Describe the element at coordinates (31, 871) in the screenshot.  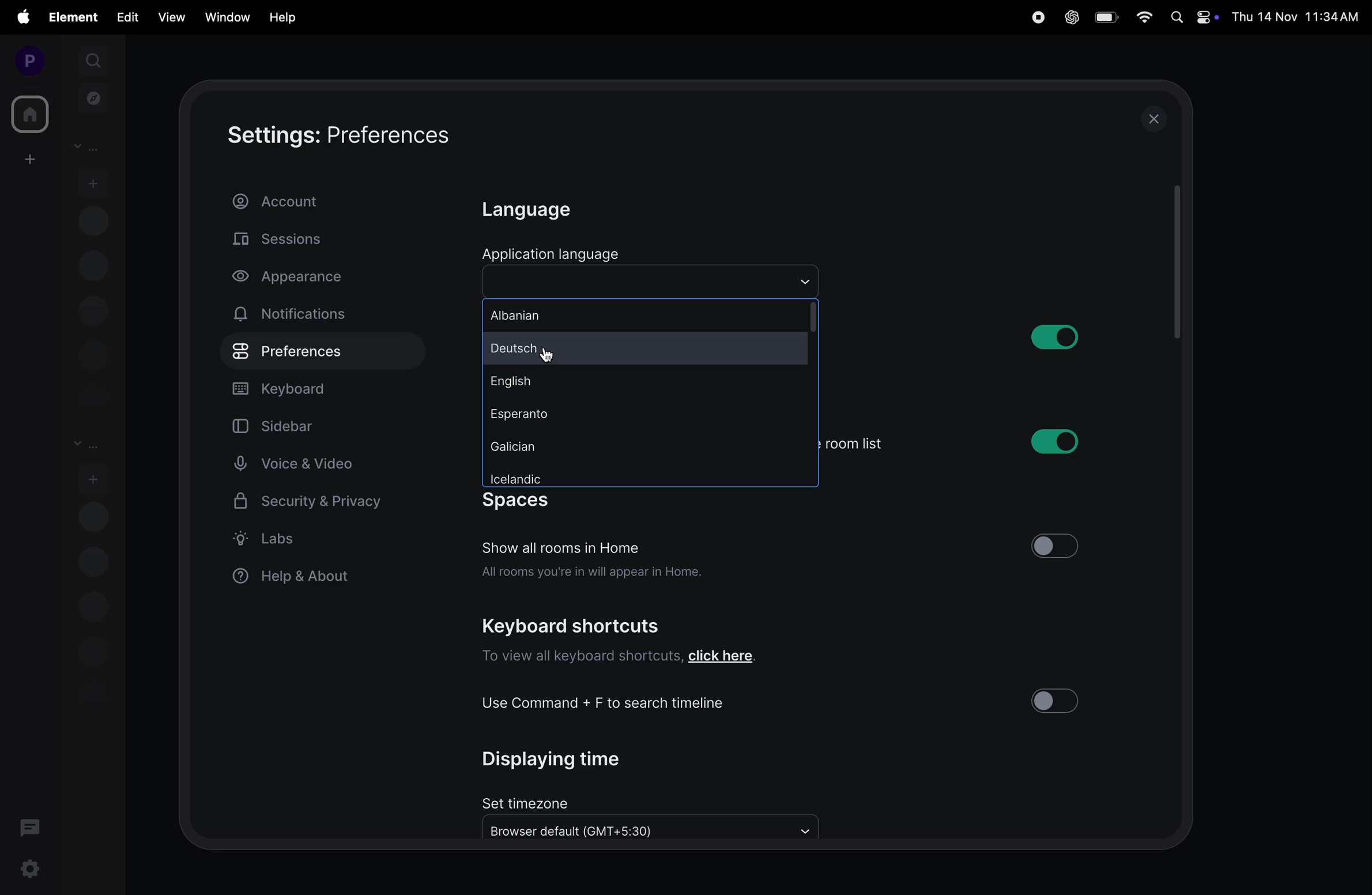
I see `settings` at that location.